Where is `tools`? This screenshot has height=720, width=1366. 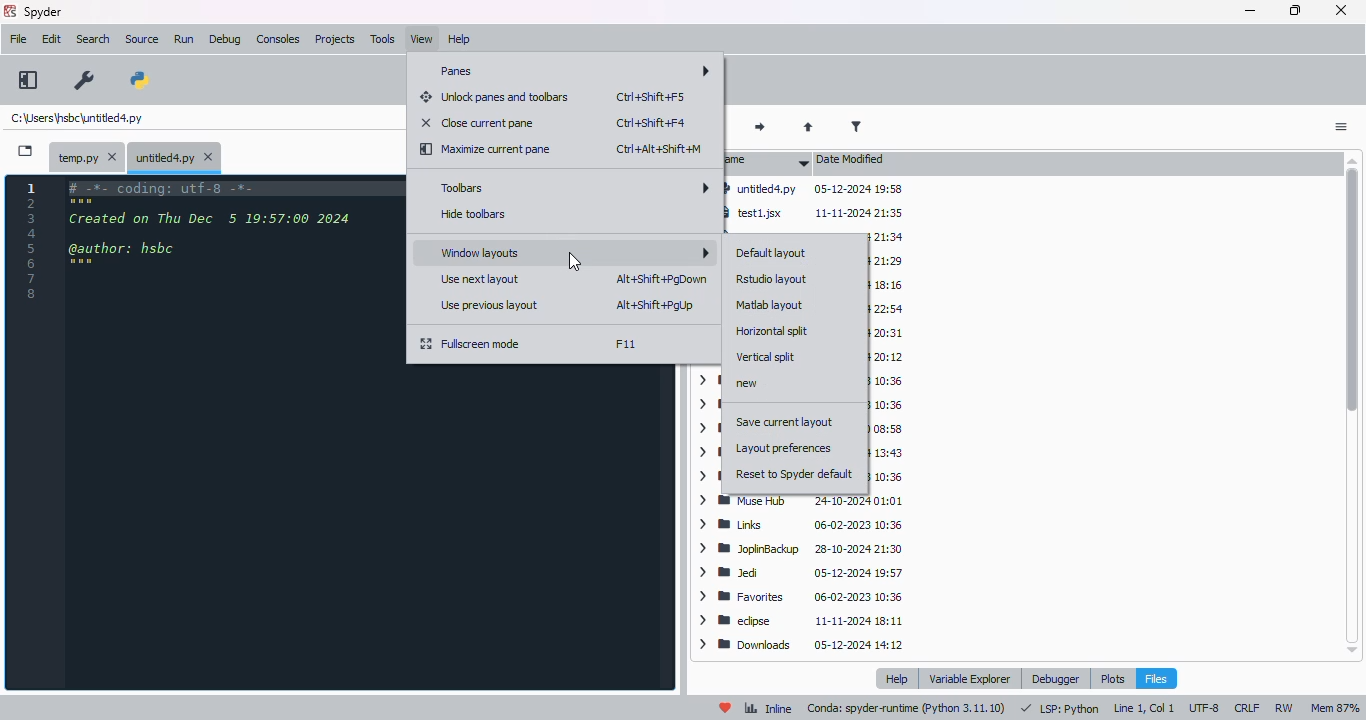
tools is located at coordinates (383, 39).